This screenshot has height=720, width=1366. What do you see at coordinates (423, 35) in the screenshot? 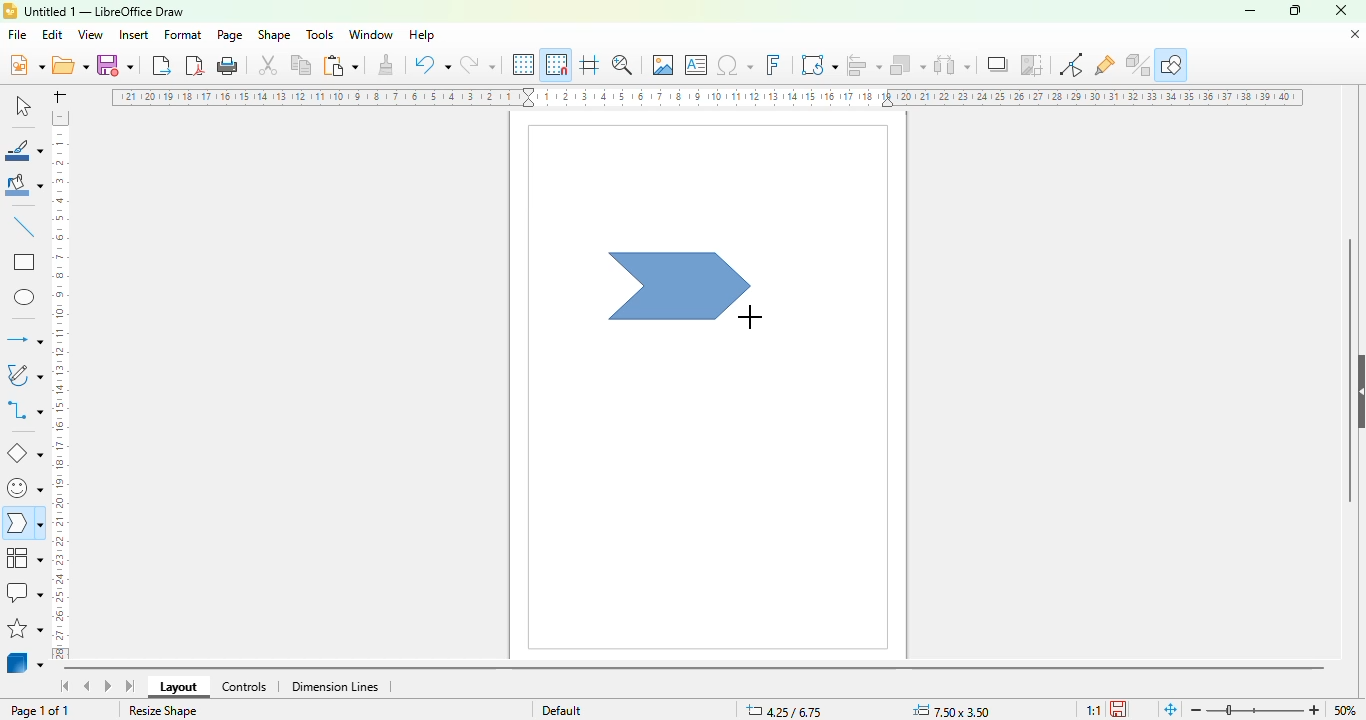
I see `help` at bounding box center [423, 35].